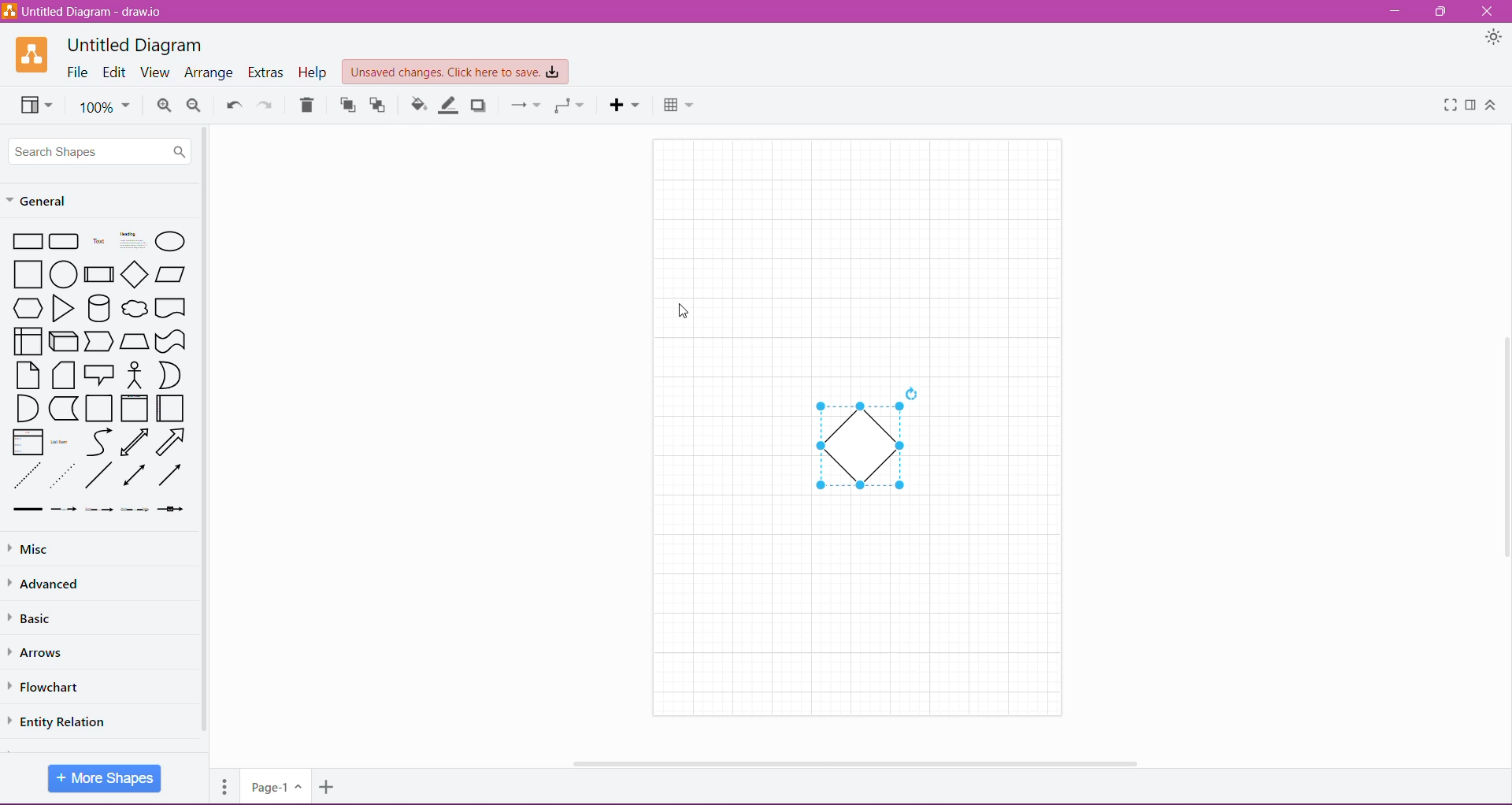  Describe the element at coordinates (99, 151) in the screenshot. I see `Search Shapes` at that location.